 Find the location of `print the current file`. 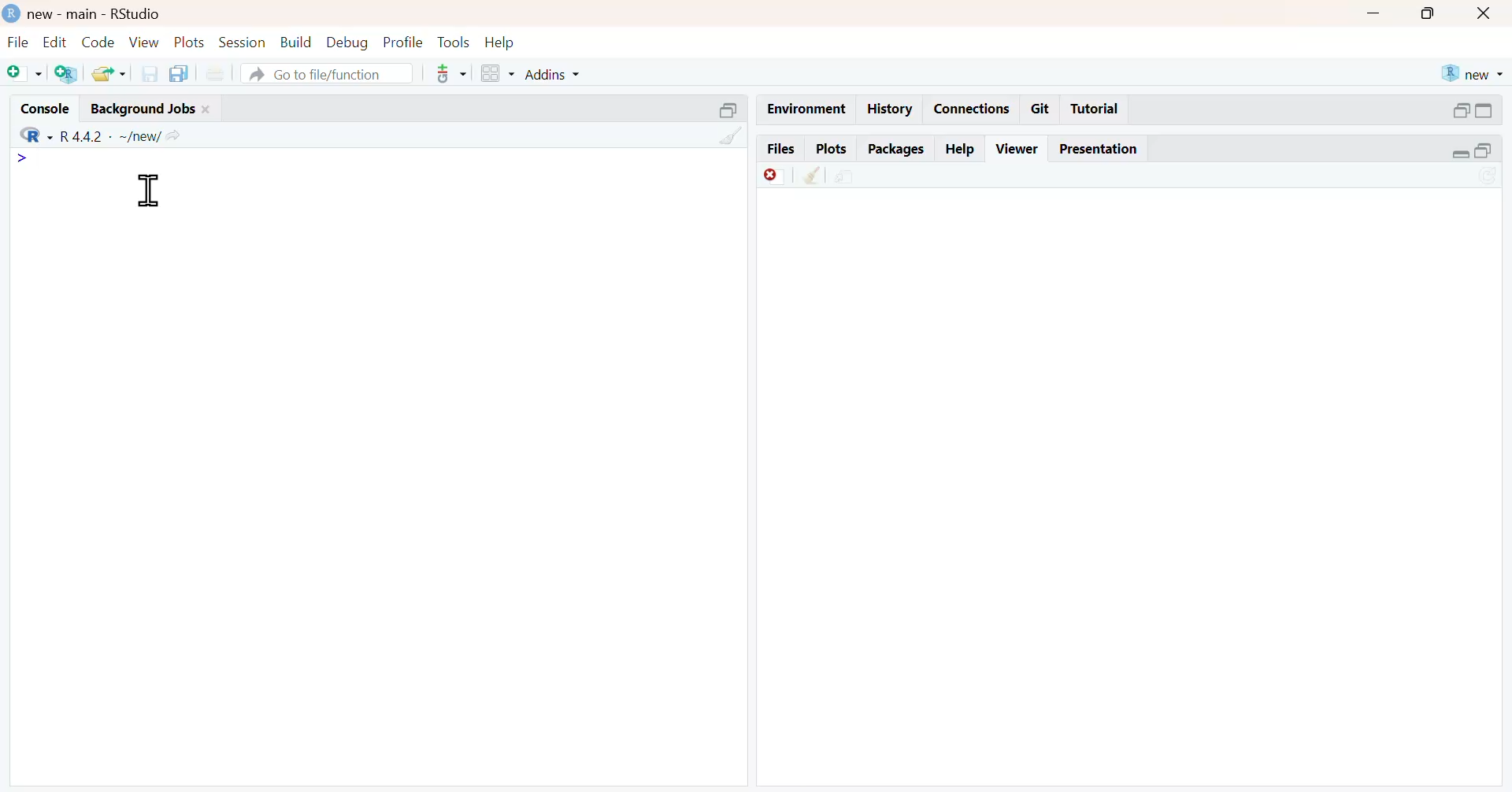

print the current file is located at coordinates (222, 73).